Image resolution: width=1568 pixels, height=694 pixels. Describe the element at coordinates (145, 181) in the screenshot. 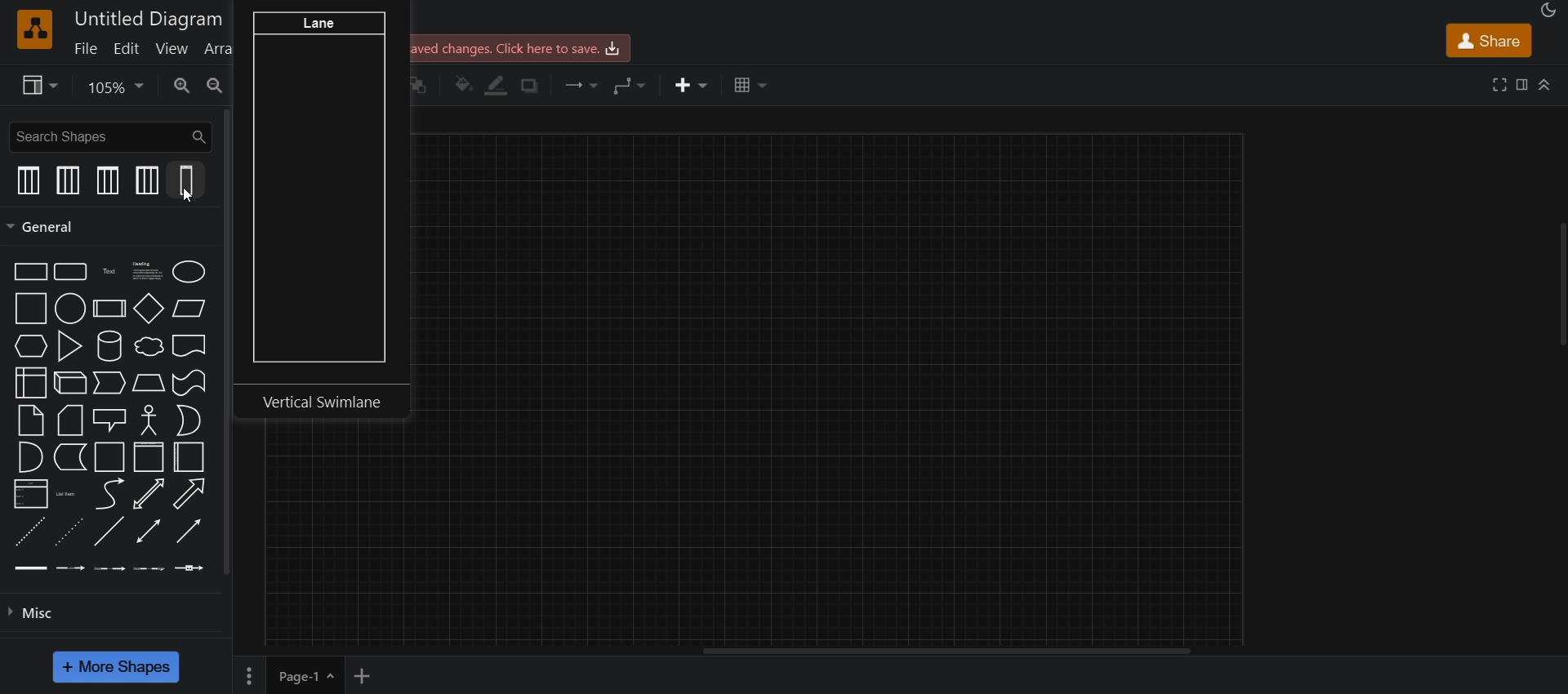

I see `vertical pool 2` at that location.